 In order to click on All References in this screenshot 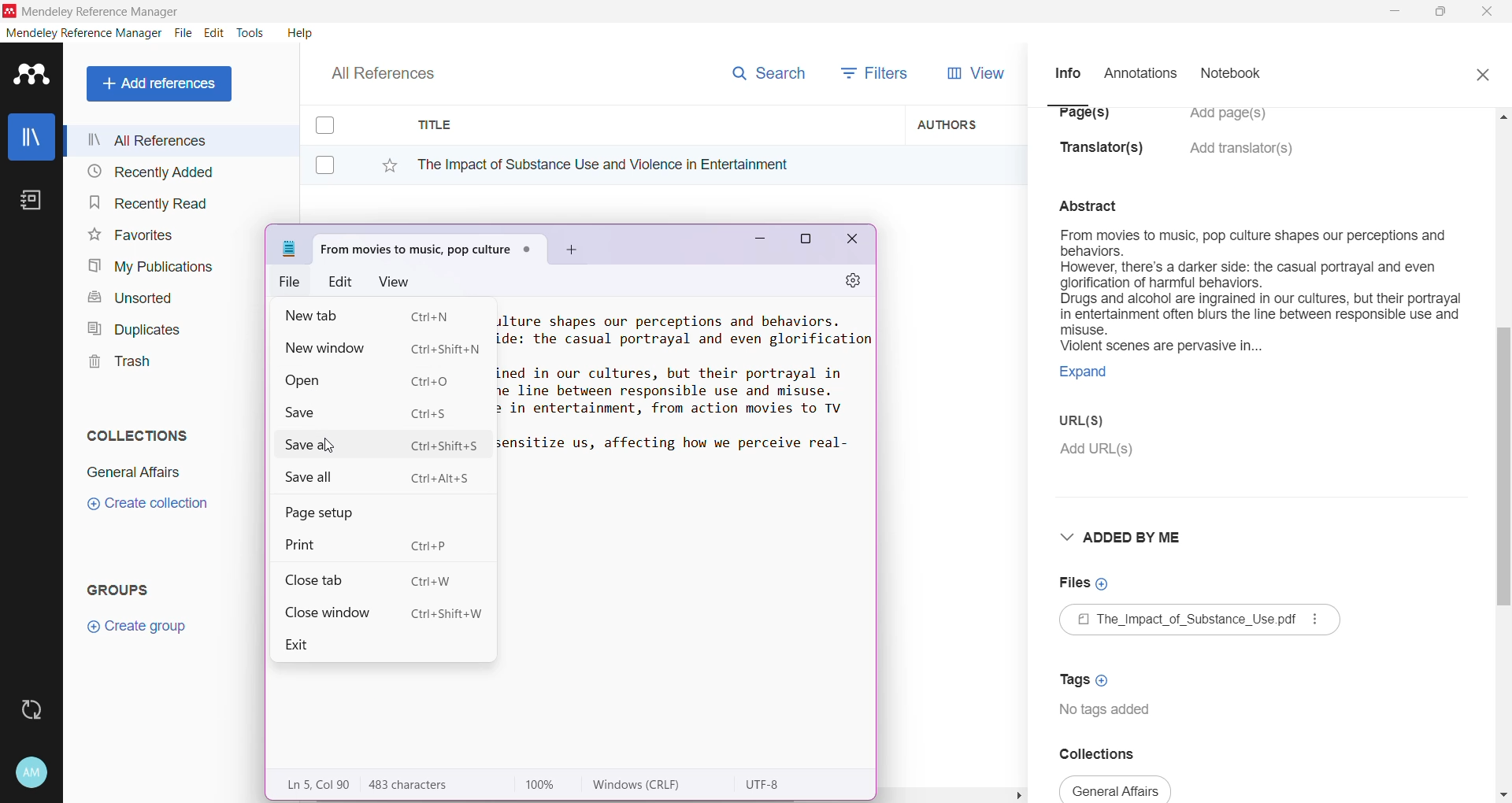, I will do `click(394, 69)`.